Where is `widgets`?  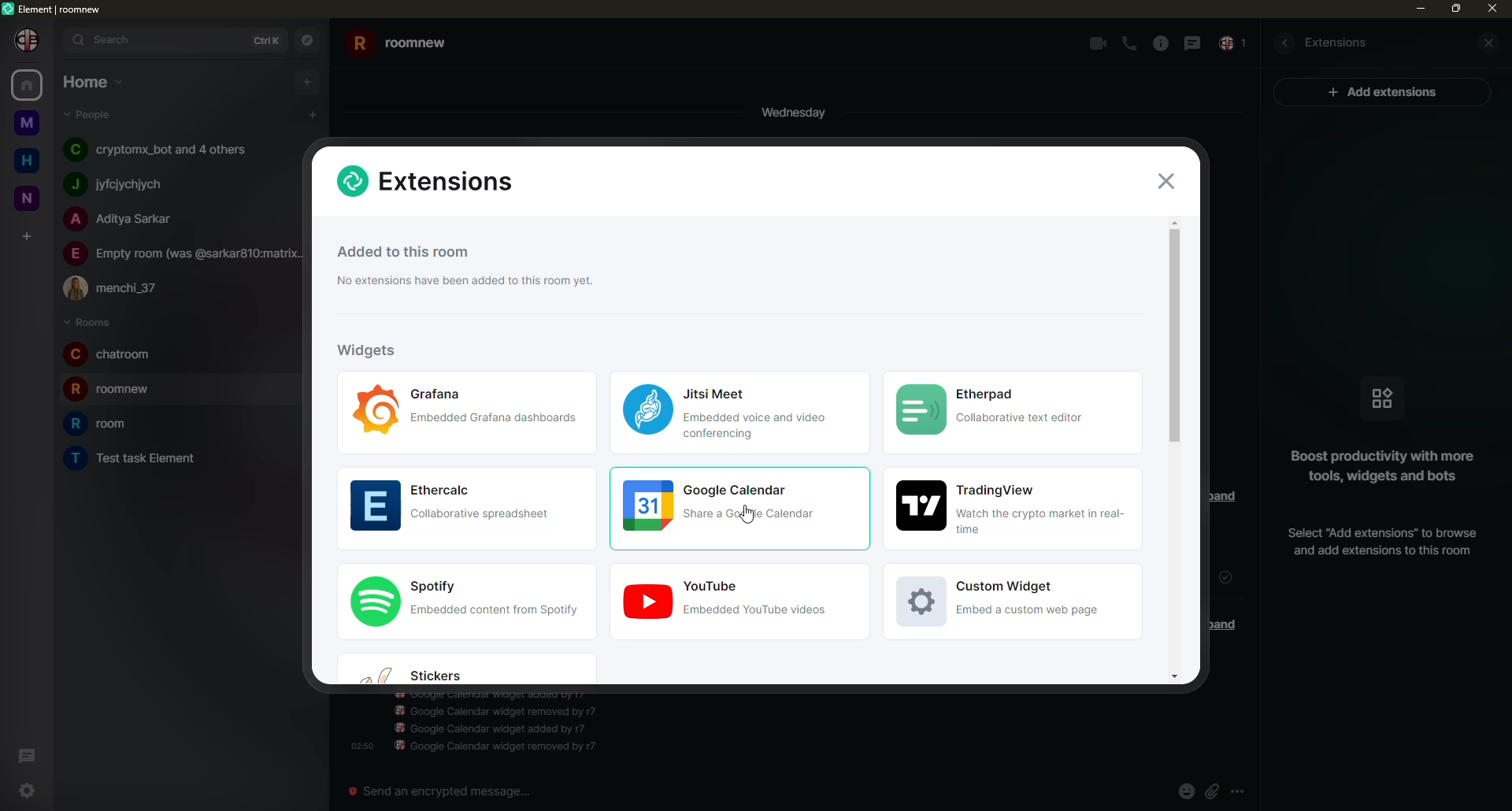 widgets is located at coordinates (999, 409).